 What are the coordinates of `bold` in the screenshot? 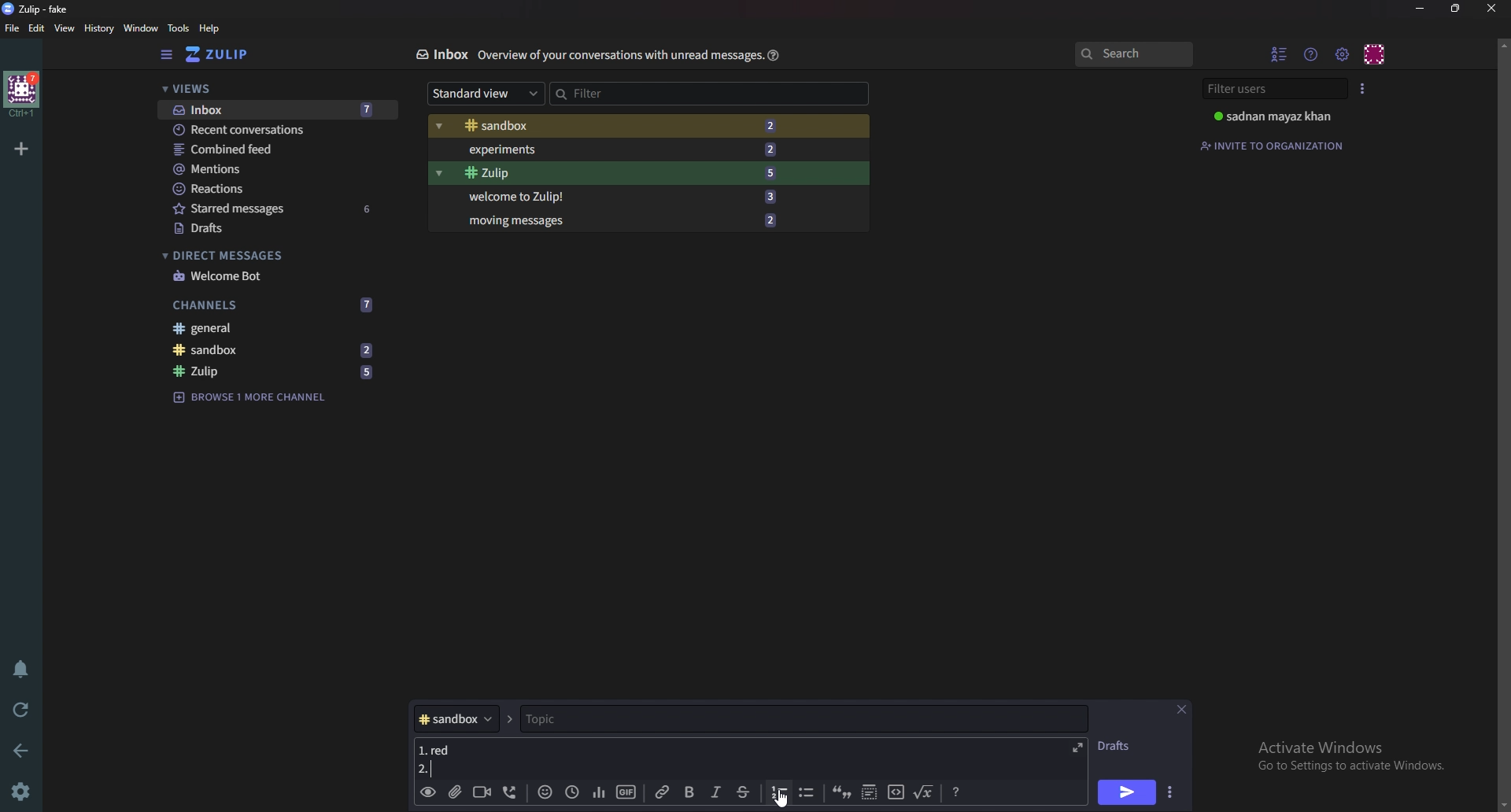 It's located at (688, 792).